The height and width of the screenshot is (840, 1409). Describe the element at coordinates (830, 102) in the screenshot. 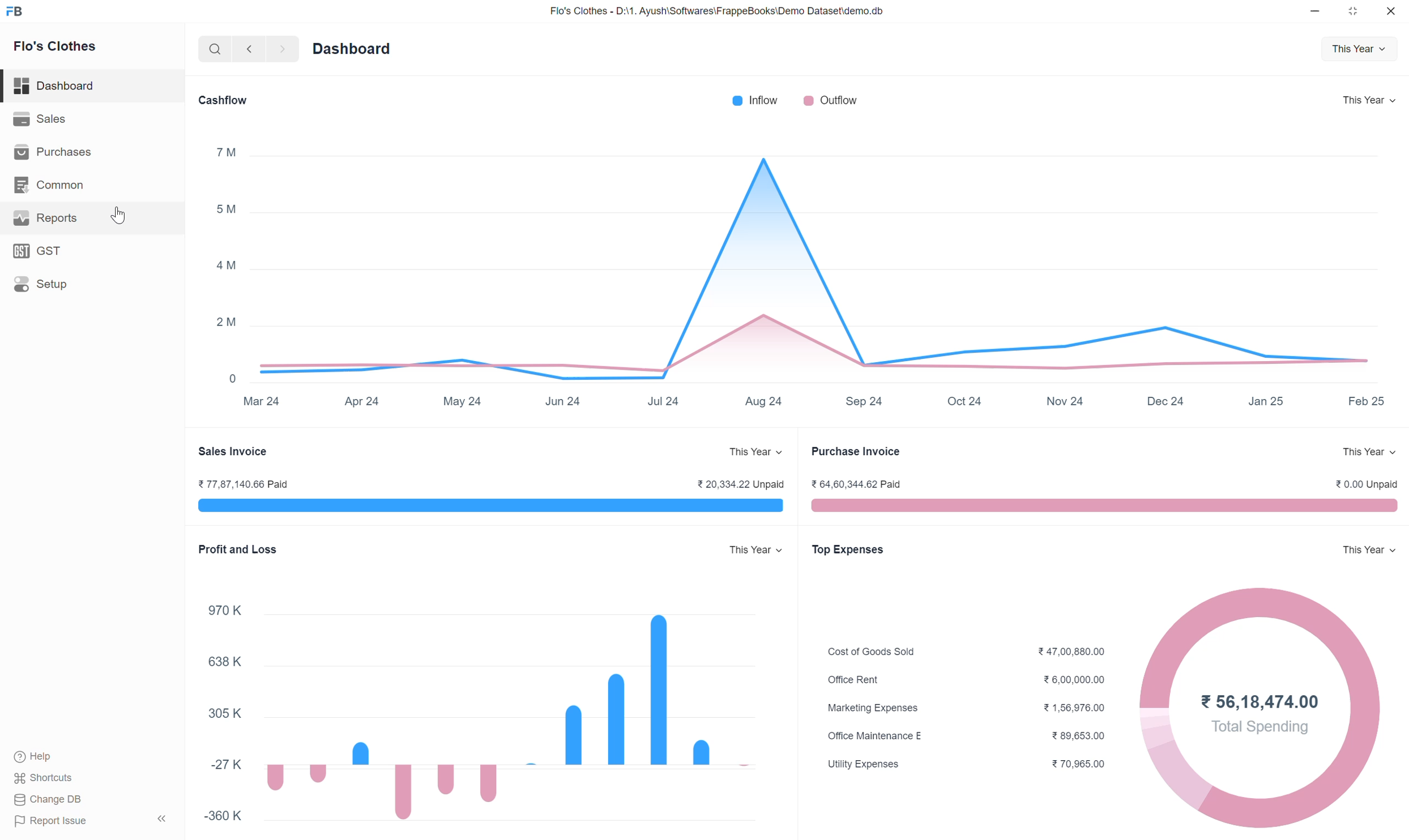

I see `outflow` at that location.